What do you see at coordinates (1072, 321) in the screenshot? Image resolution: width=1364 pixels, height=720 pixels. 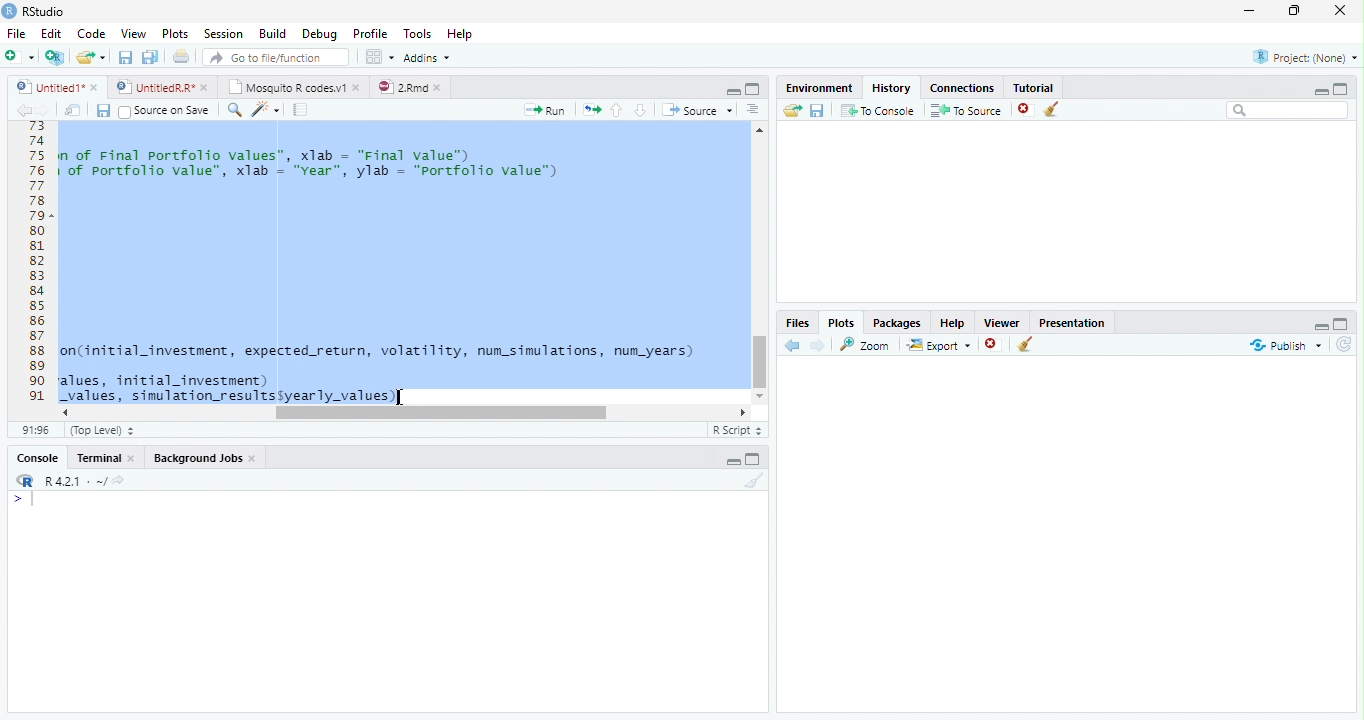 I see `Presentation` at bounding box center [1072, 321].